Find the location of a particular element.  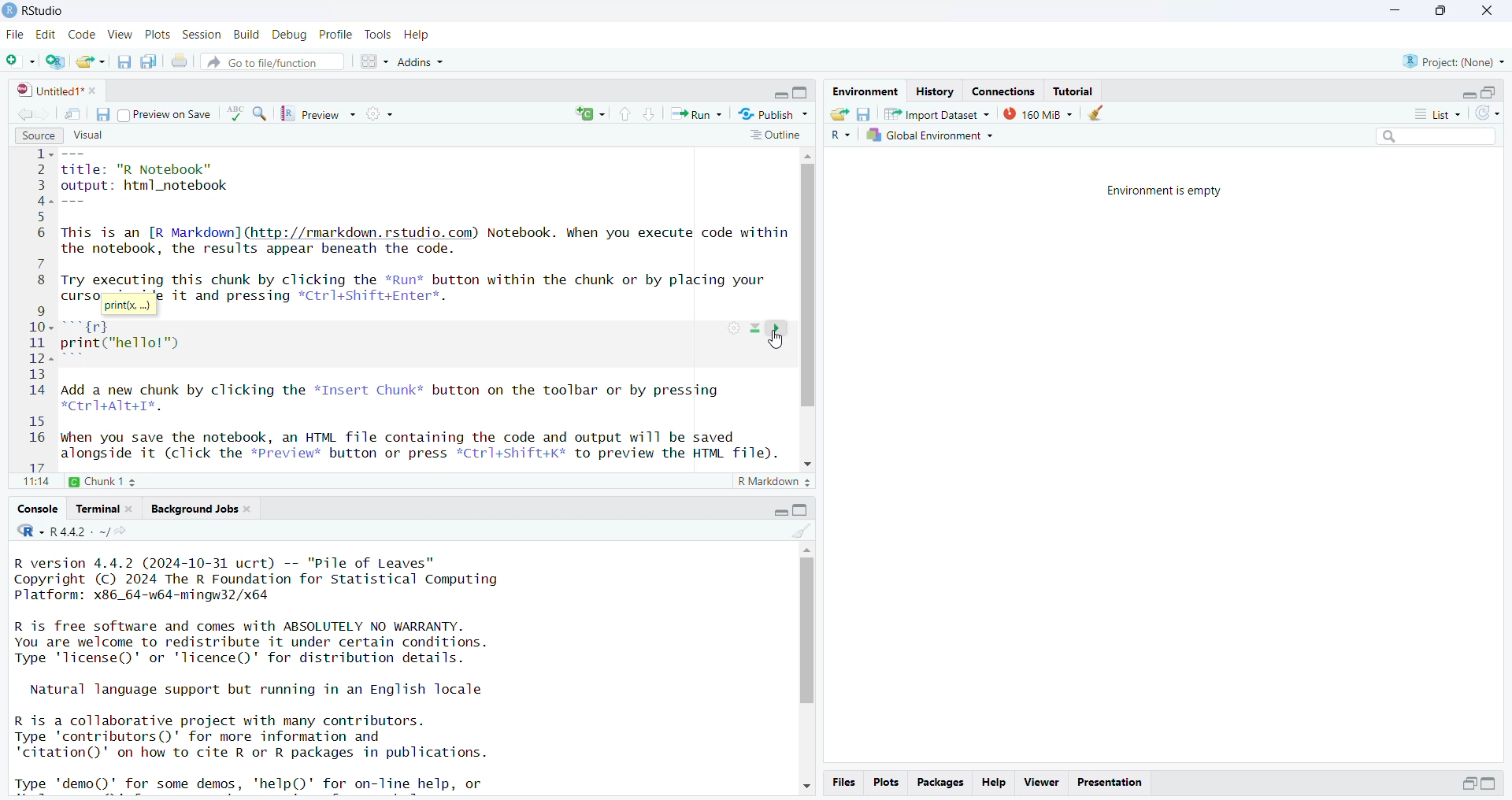

show in new window is located at coordinates (72, 113).